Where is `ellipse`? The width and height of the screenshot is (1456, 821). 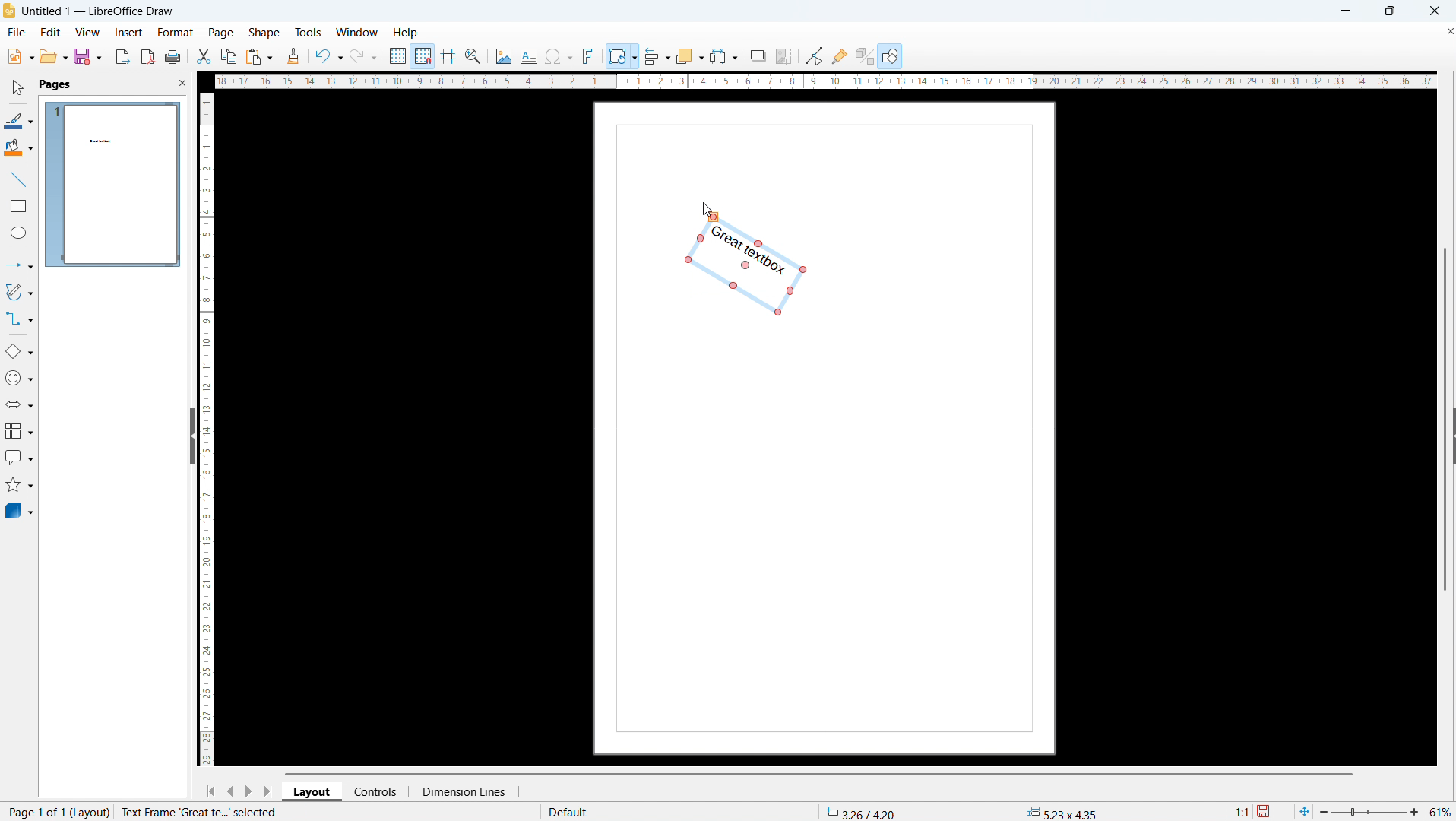
ellipse is located at coordinates (18, 234).